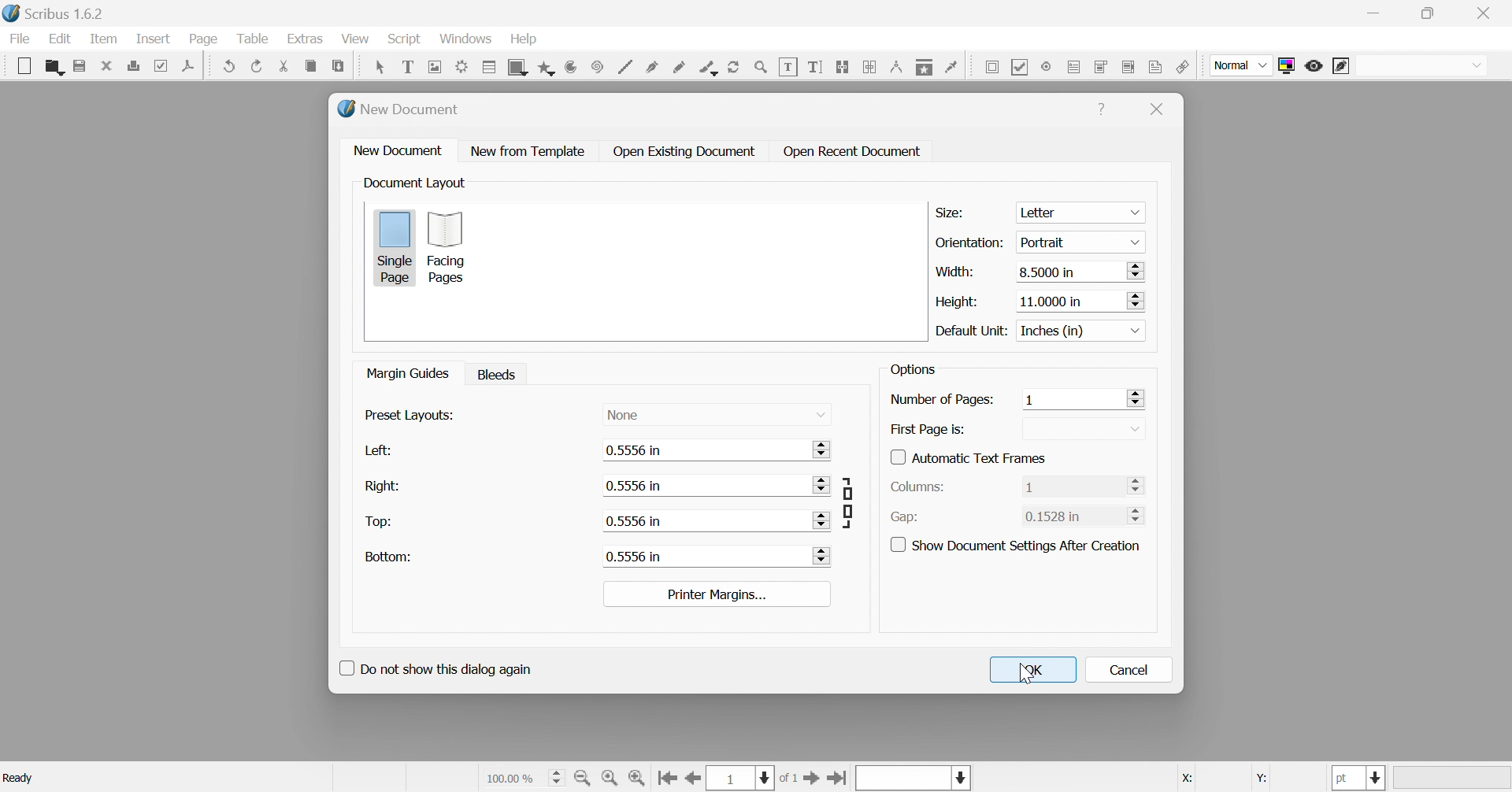 This screenshot has height=792, width=1512. Describe the element at coordinates (844, 67) in the screenshot. I see `link text frames` at that location.